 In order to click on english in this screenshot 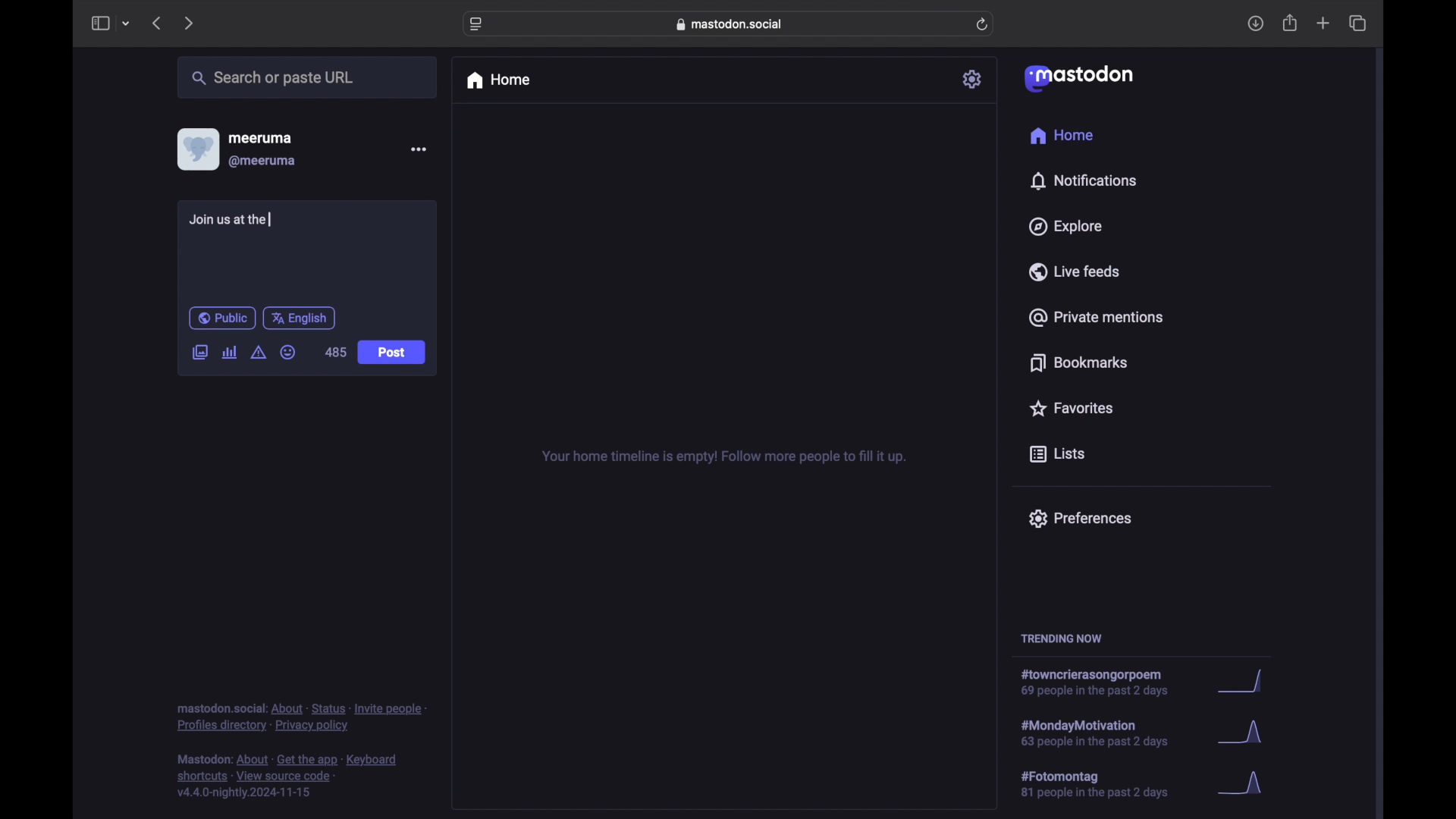, I will do `click(300, 318)`.